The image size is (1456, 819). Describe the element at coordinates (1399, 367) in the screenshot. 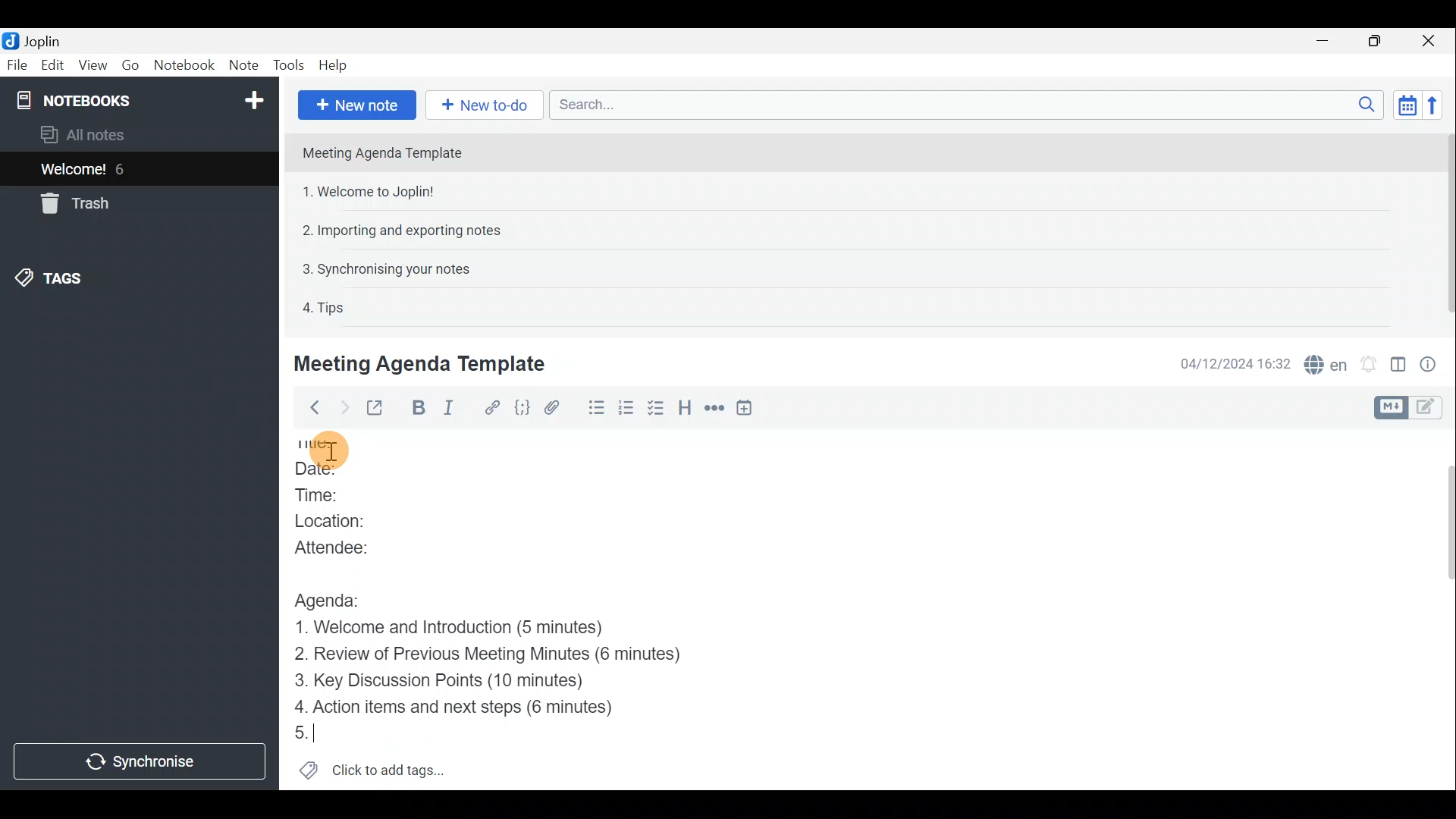

I see `Toggle editor layout` at that location.